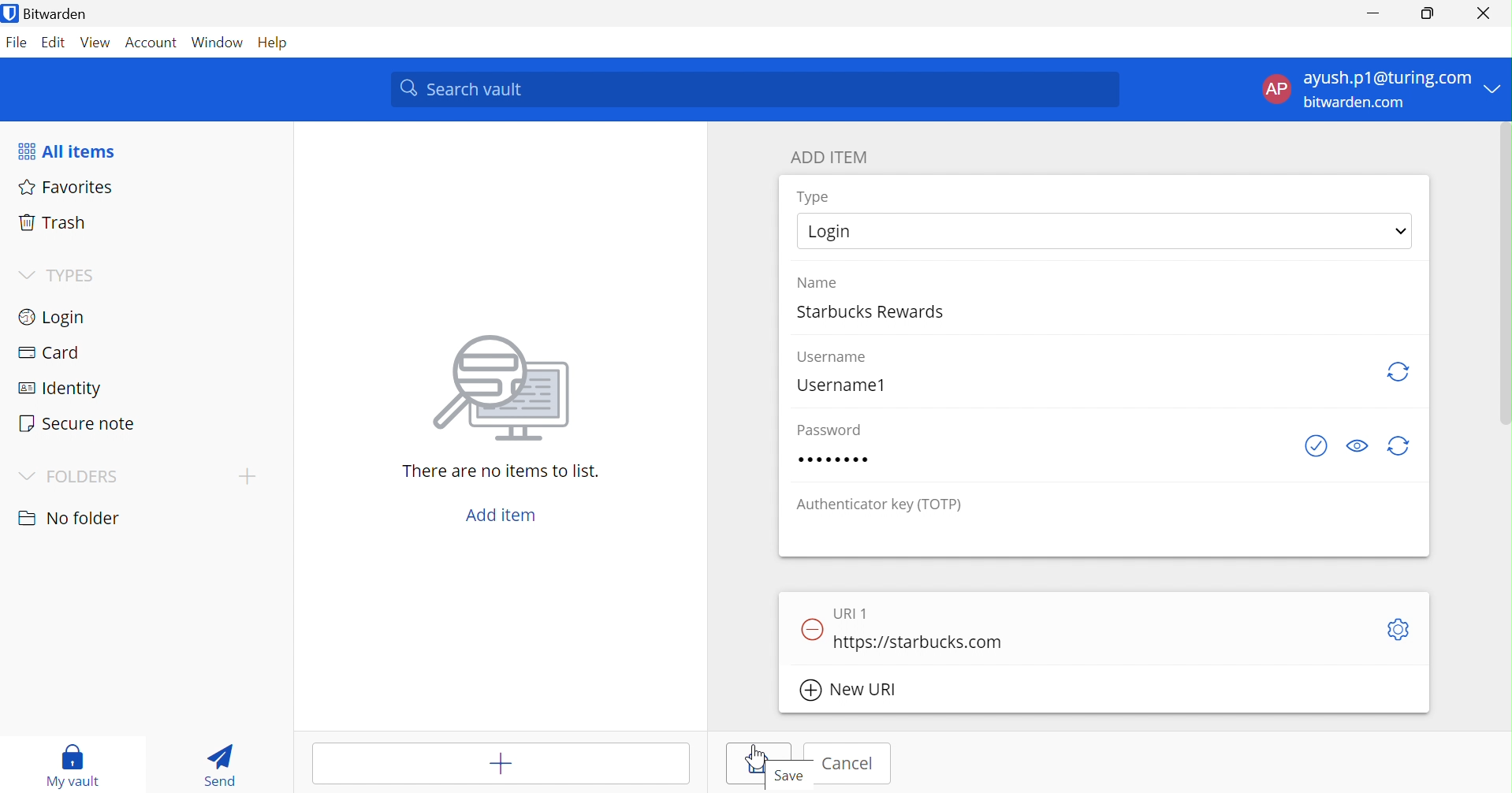 The image size is (1512, 793). Describe the element at coordinates (831, 158) in the screenshot. I see `ADD ITEM` at that location.